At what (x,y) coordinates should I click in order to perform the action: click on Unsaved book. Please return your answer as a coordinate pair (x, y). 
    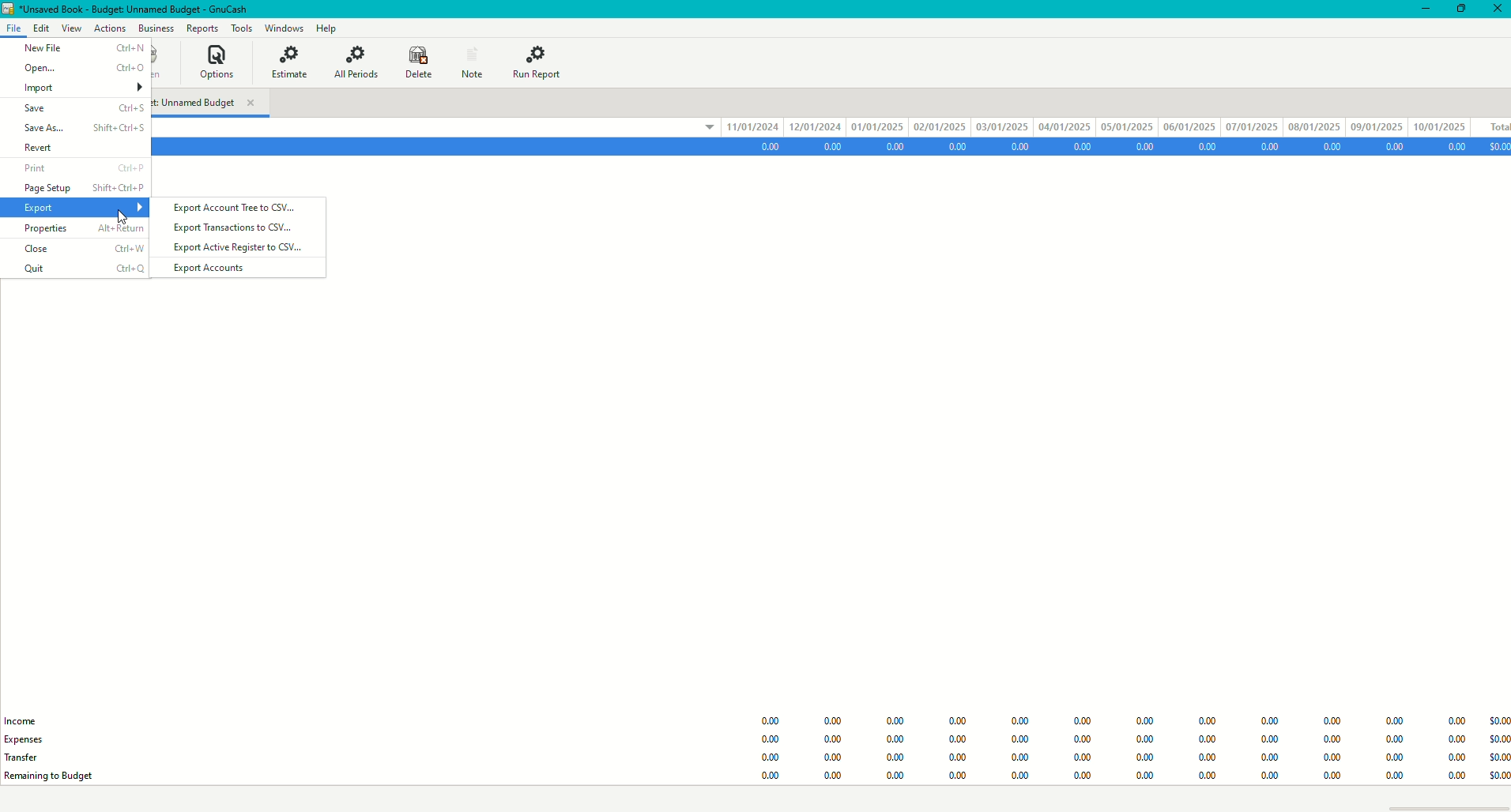
    Looking at the image, I should click on (135, 9).